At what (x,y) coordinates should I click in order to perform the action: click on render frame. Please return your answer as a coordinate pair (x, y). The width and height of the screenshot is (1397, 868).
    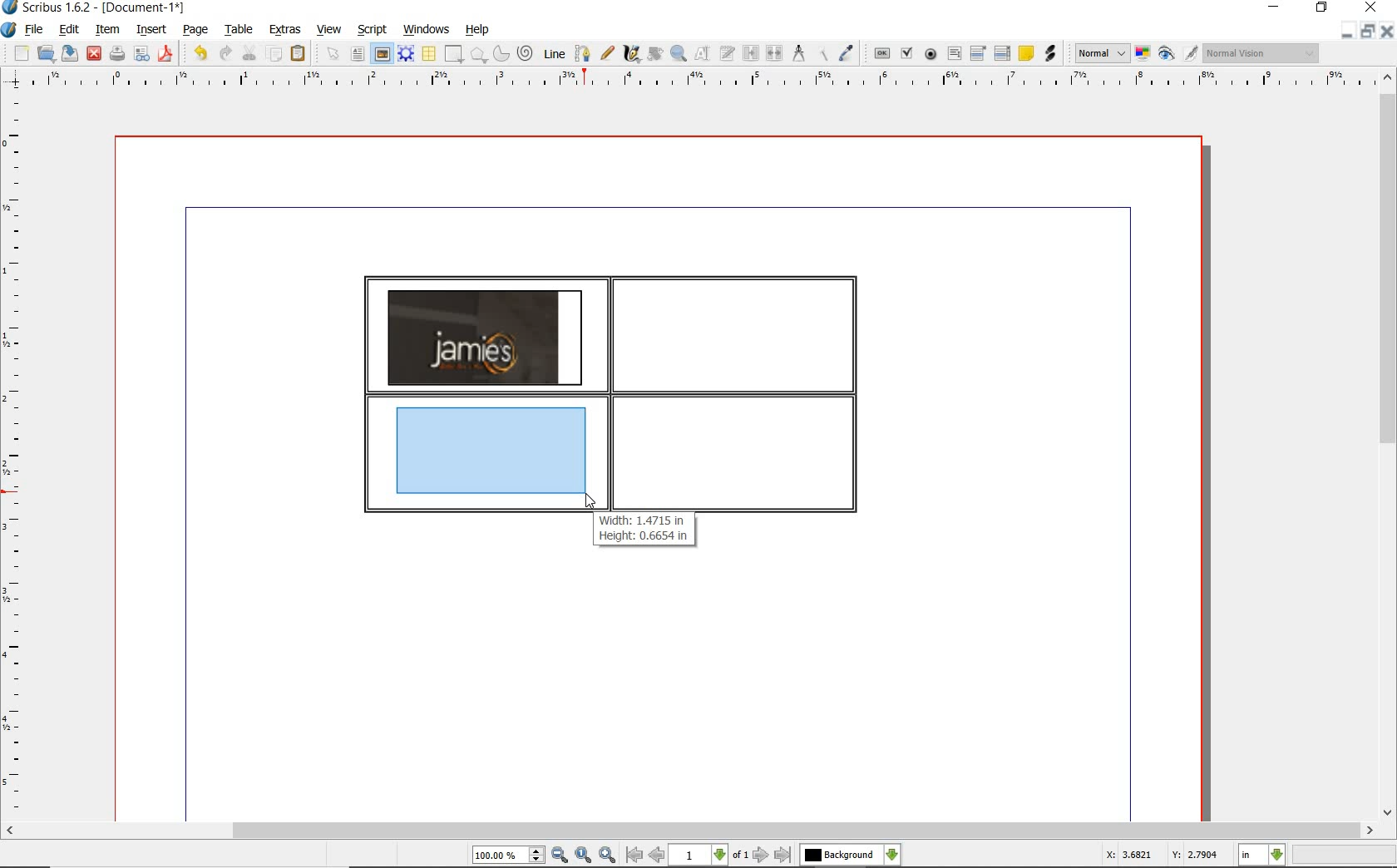
    Looking at the image, I should click on (406, 52).